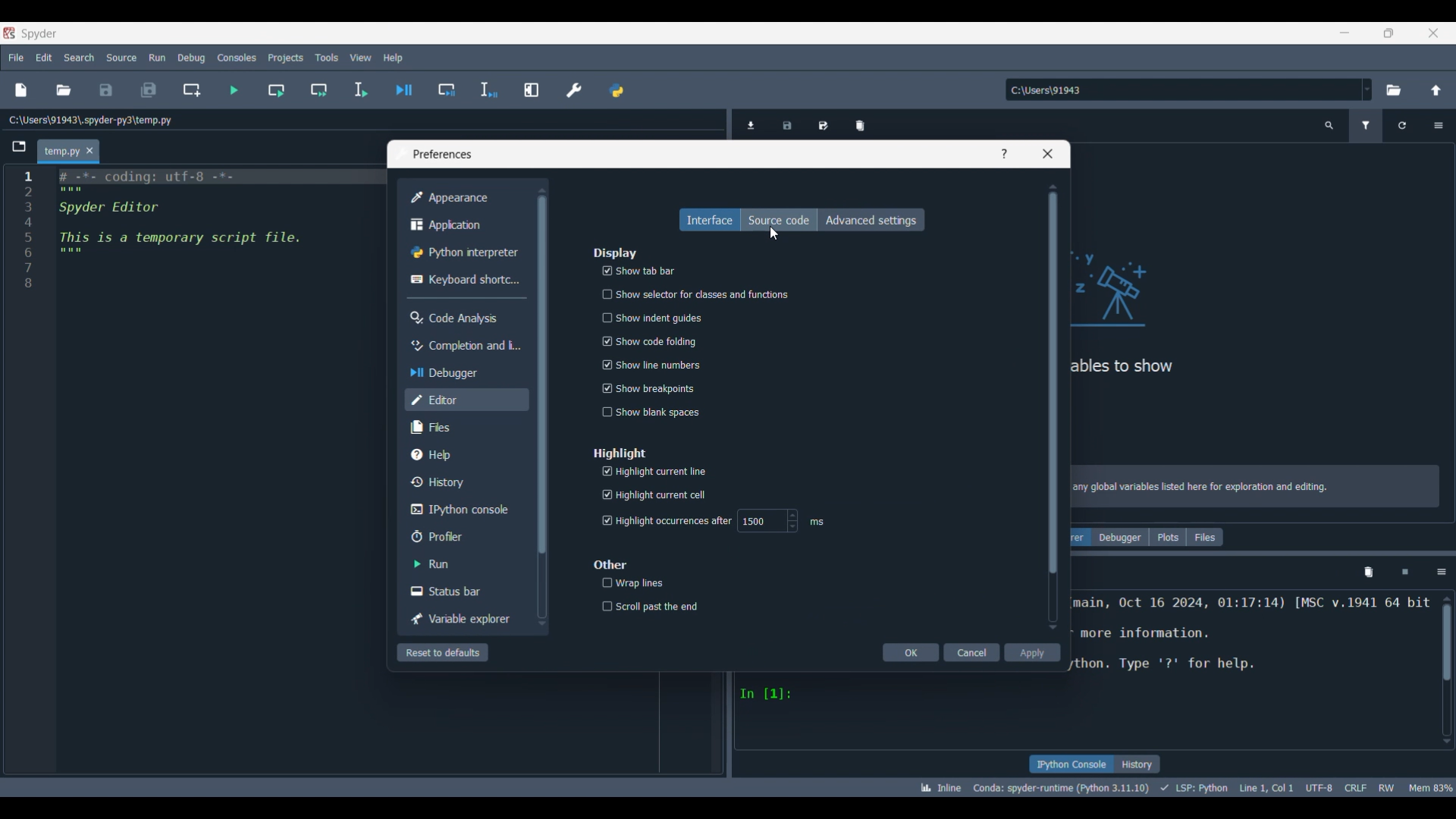 The height and width of the screenshot is (819, 1456). What do you see at coordinates (91, 120) in the screenshot?
I see `File location` at bounding box center [91, 120].